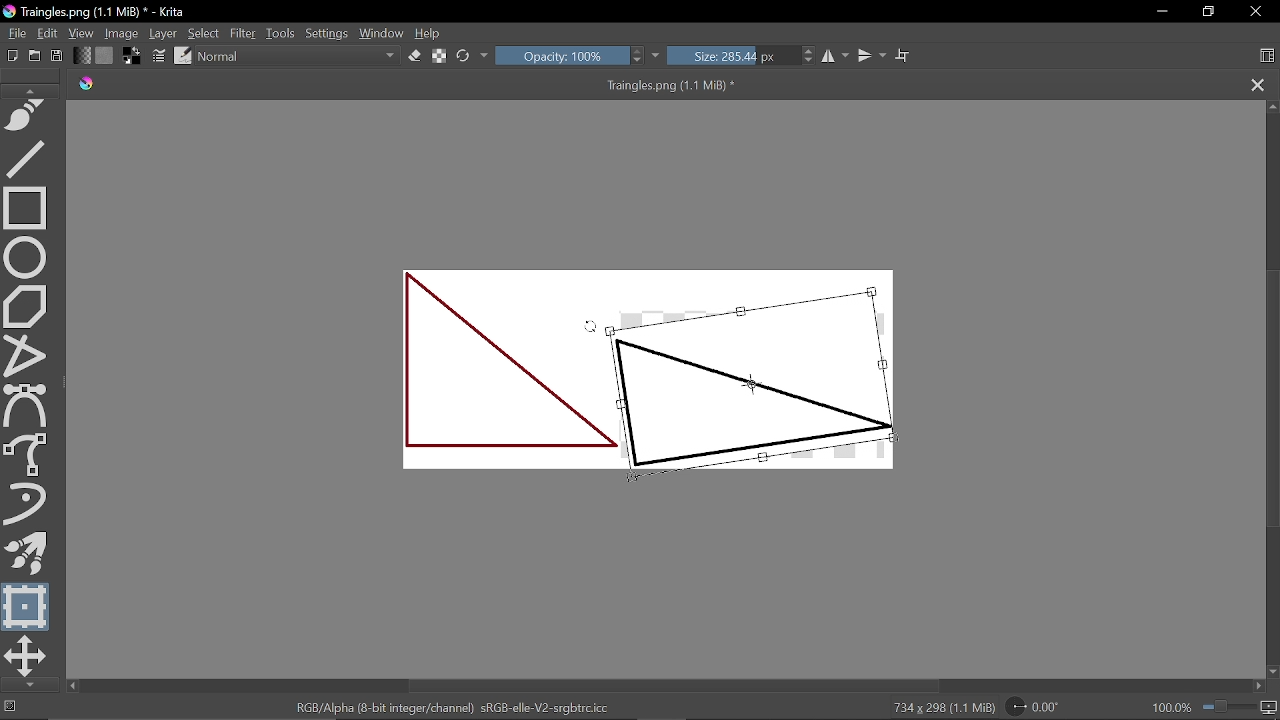 This screenshot has width=1280, height=720. Describe the element at coordinates (1259, 85) in the screenshot. I see `Close tag` at that location.